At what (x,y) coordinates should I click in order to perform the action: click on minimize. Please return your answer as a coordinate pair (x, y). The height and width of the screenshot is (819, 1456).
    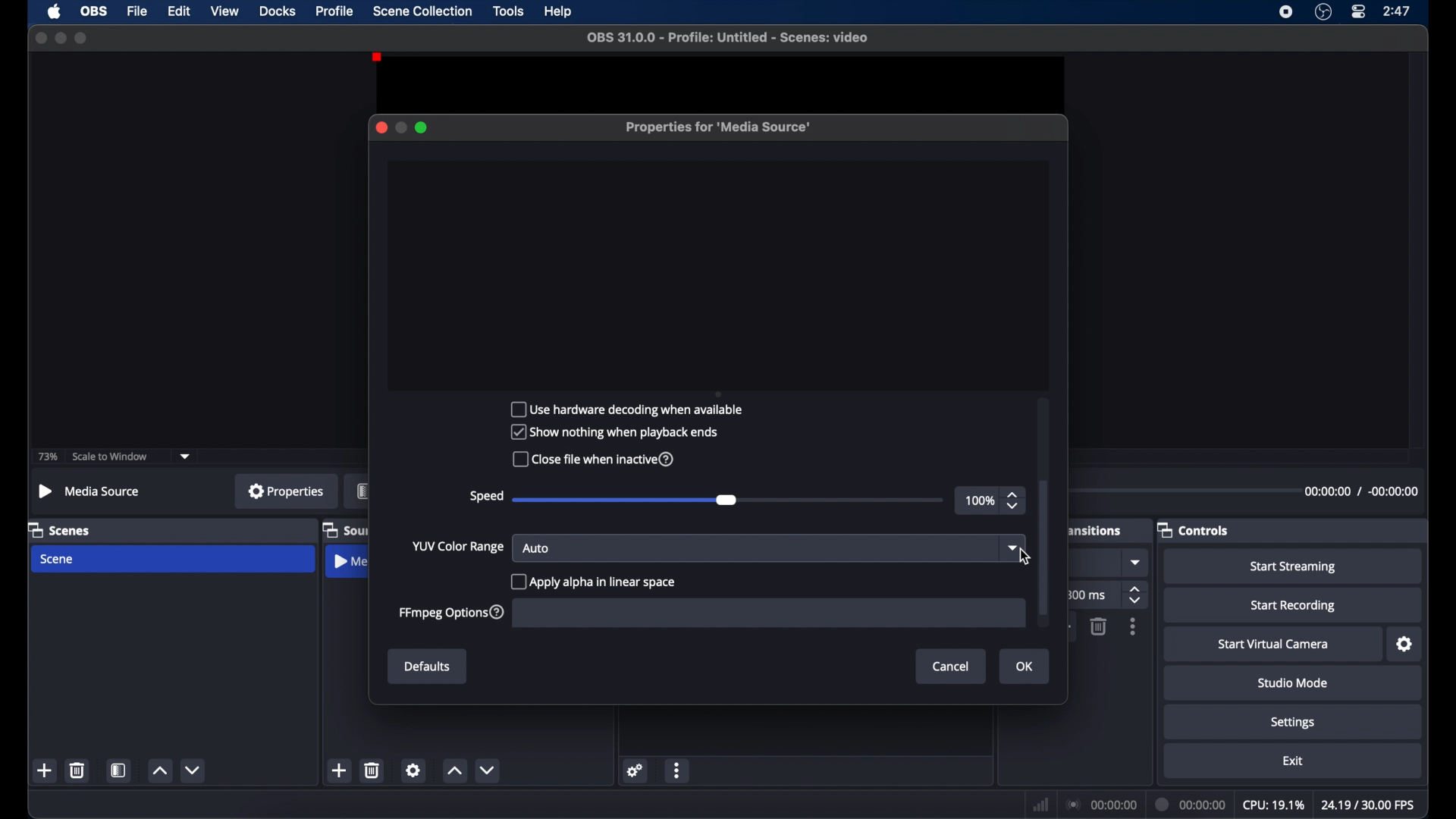
    Looking at the image, I should click on (400, 127).